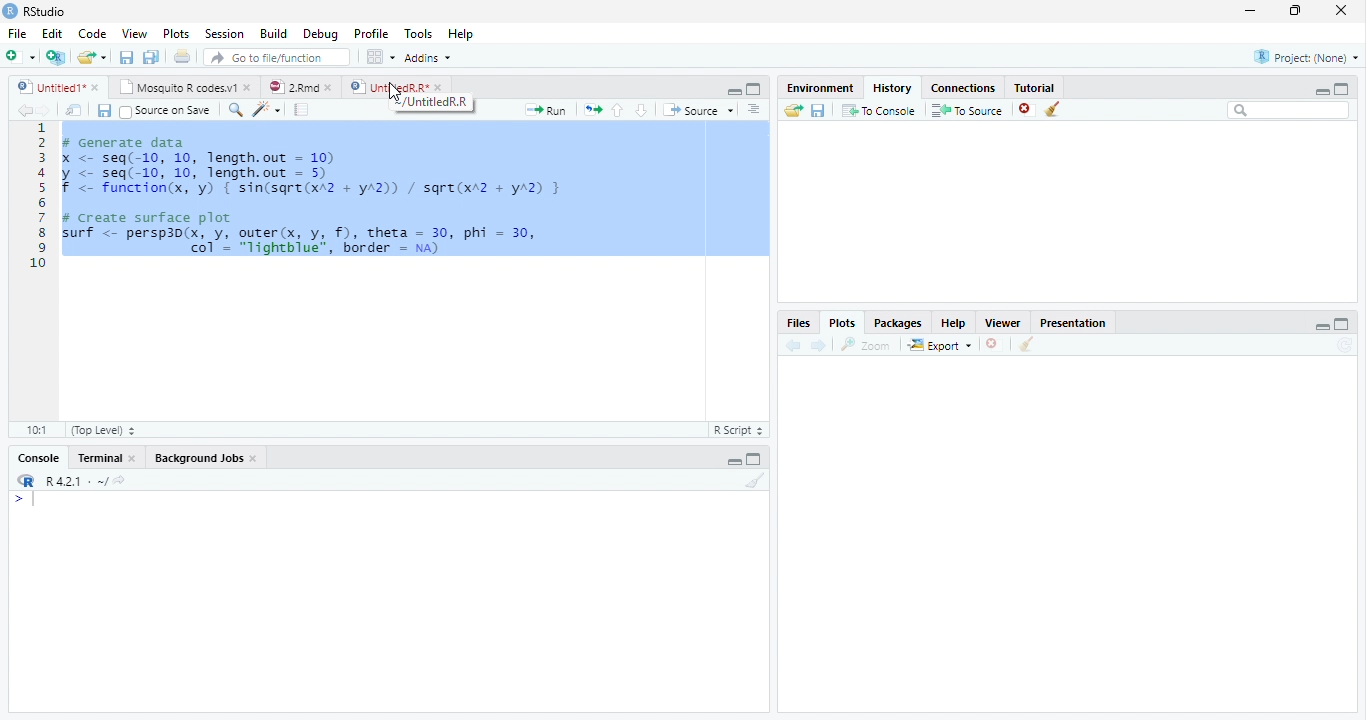 The width and height of the screenshot is (1366, 720). I want to click on Compile Report, so click(301, 109).